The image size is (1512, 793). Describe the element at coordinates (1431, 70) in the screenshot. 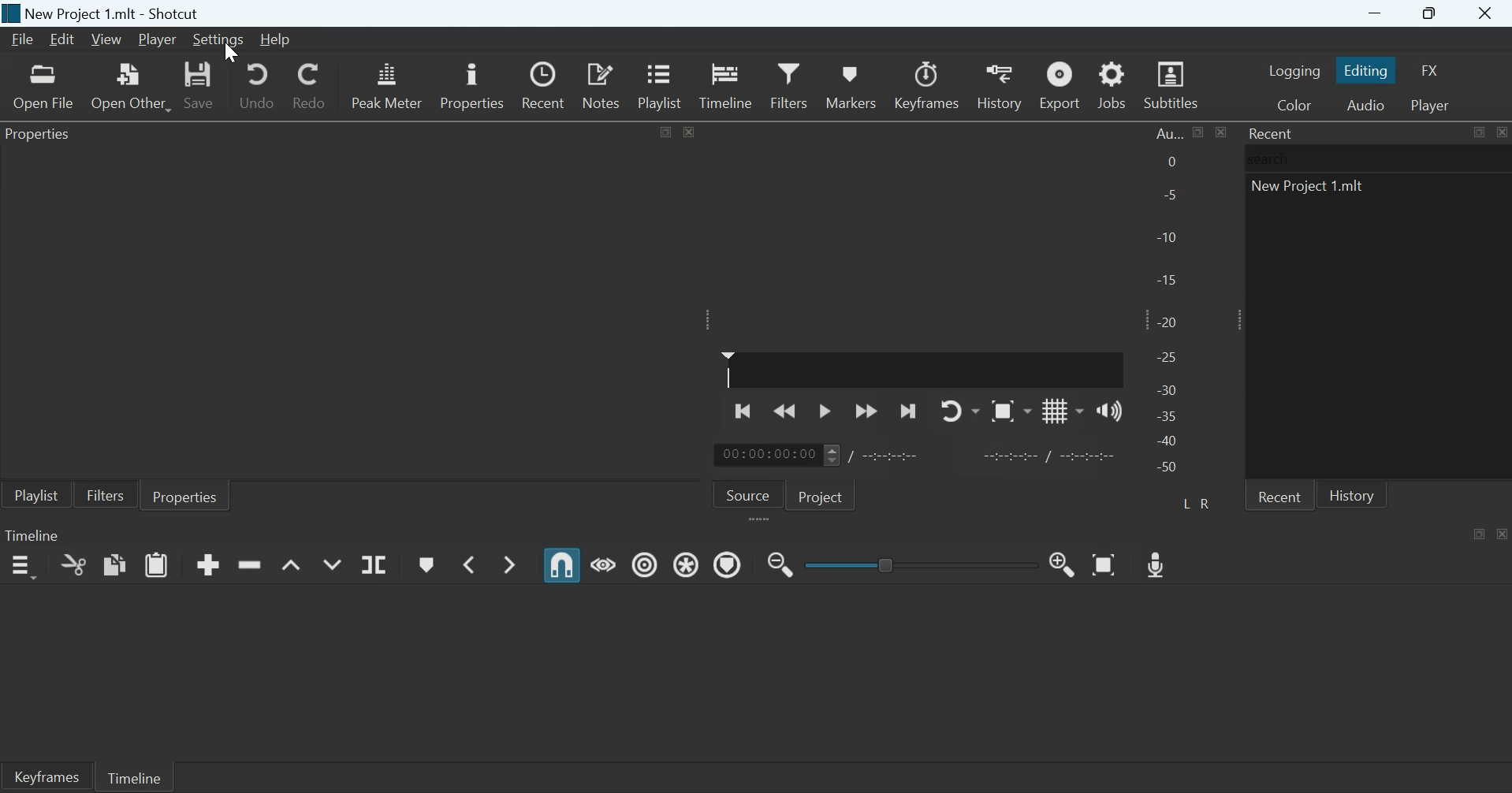

I see `Switch to the effects layout` at that location.